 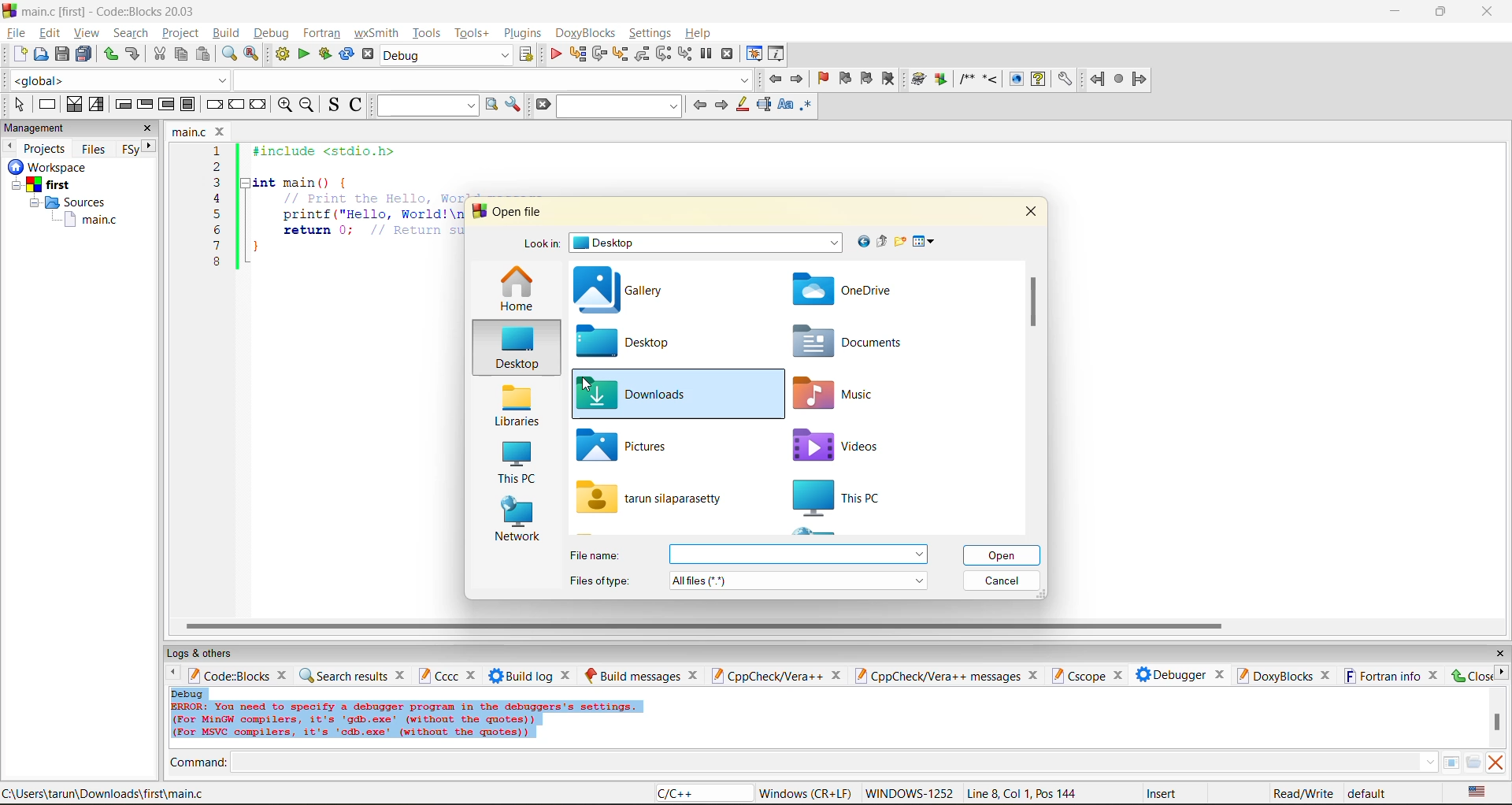 What do you see at coordinates (587, 385) in the screenshot?
I see `cursor` at bounding box center [587, 385].